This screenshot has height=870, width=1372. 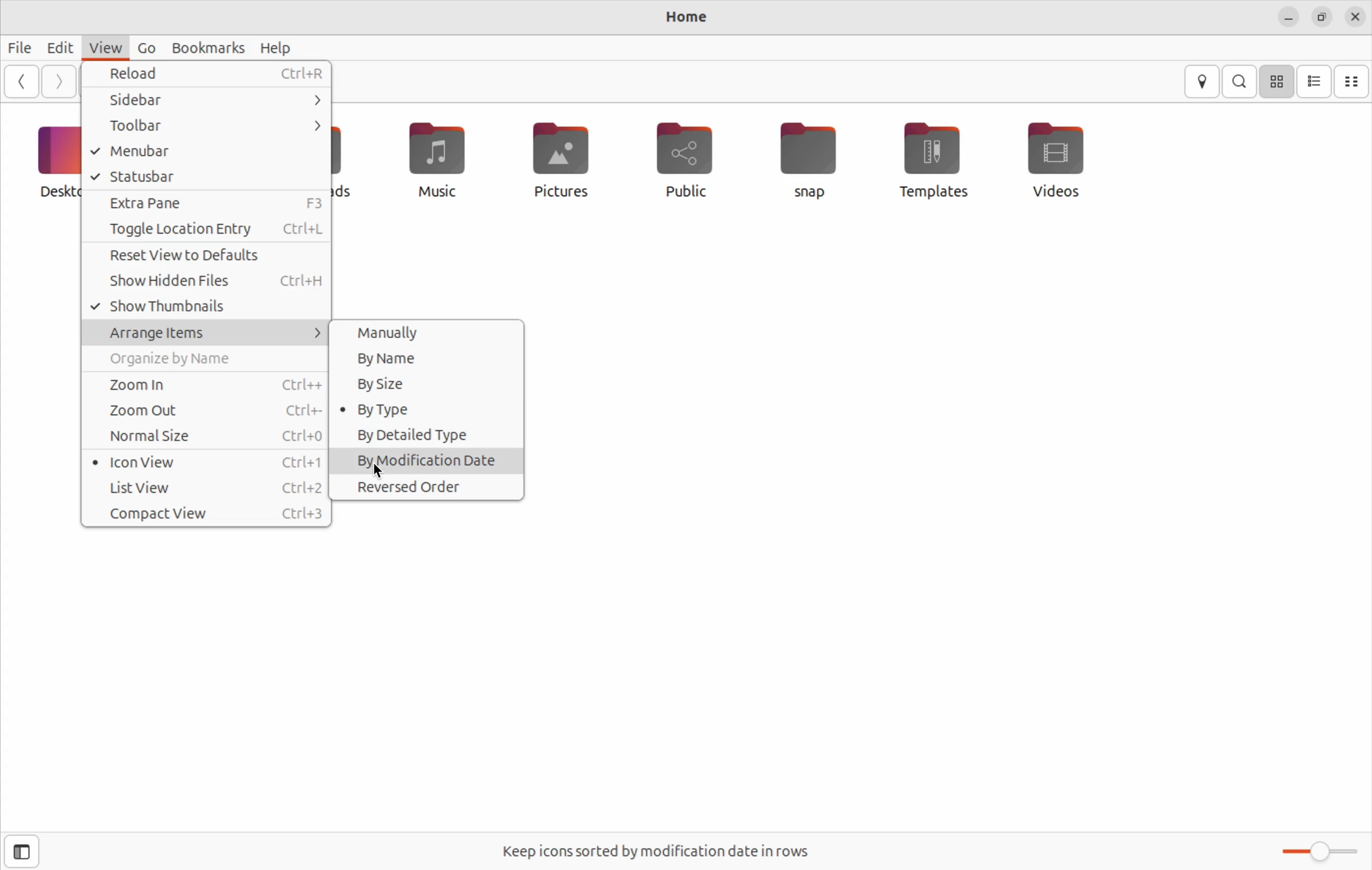 What do you see at coordinates (1242, 81) in the screenshot?
I see `search` at bounding box center [1242, 81].